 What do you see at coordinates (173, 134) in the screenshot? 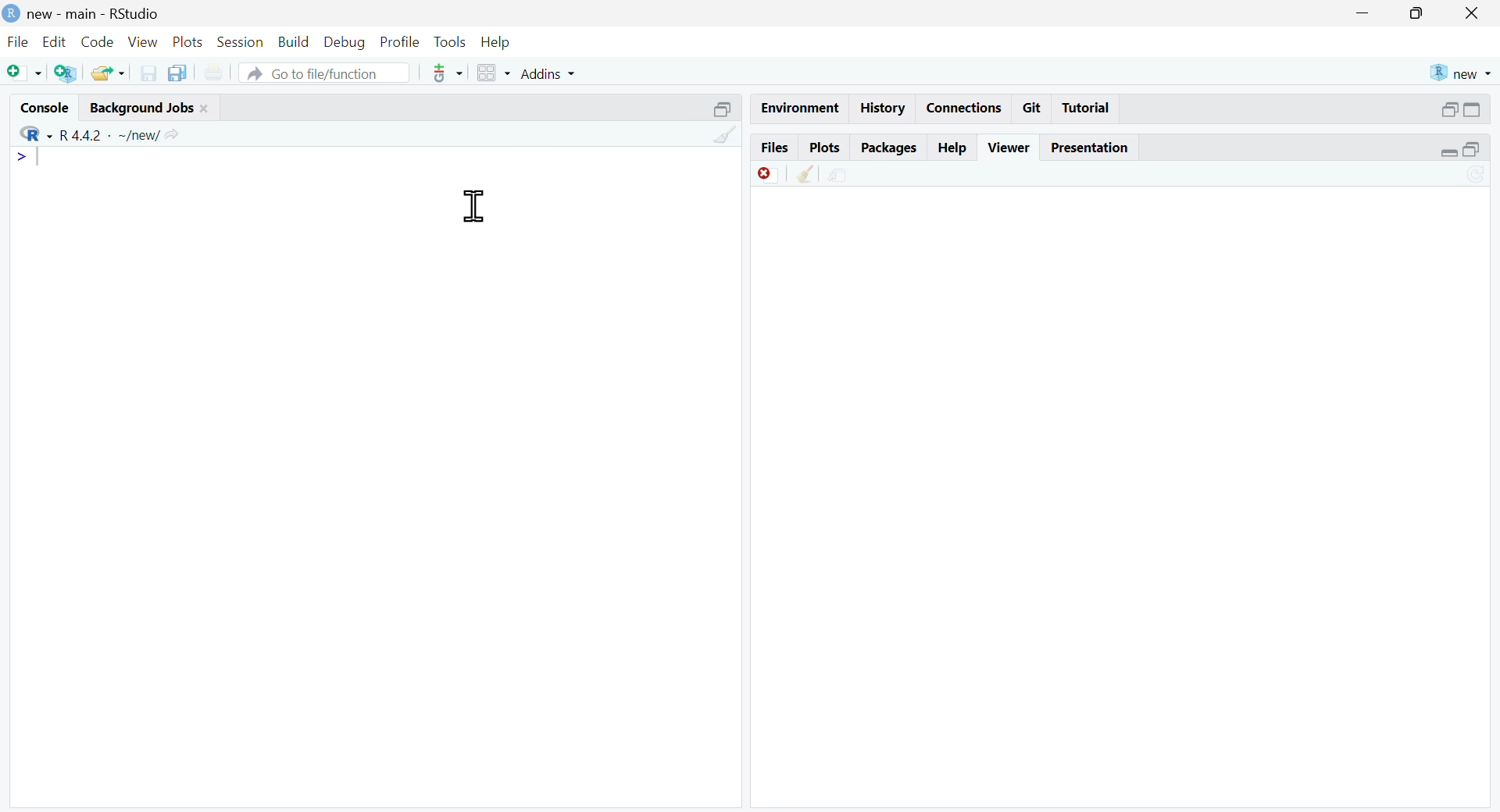
I see `share icon` at bounding box center [173, 134].